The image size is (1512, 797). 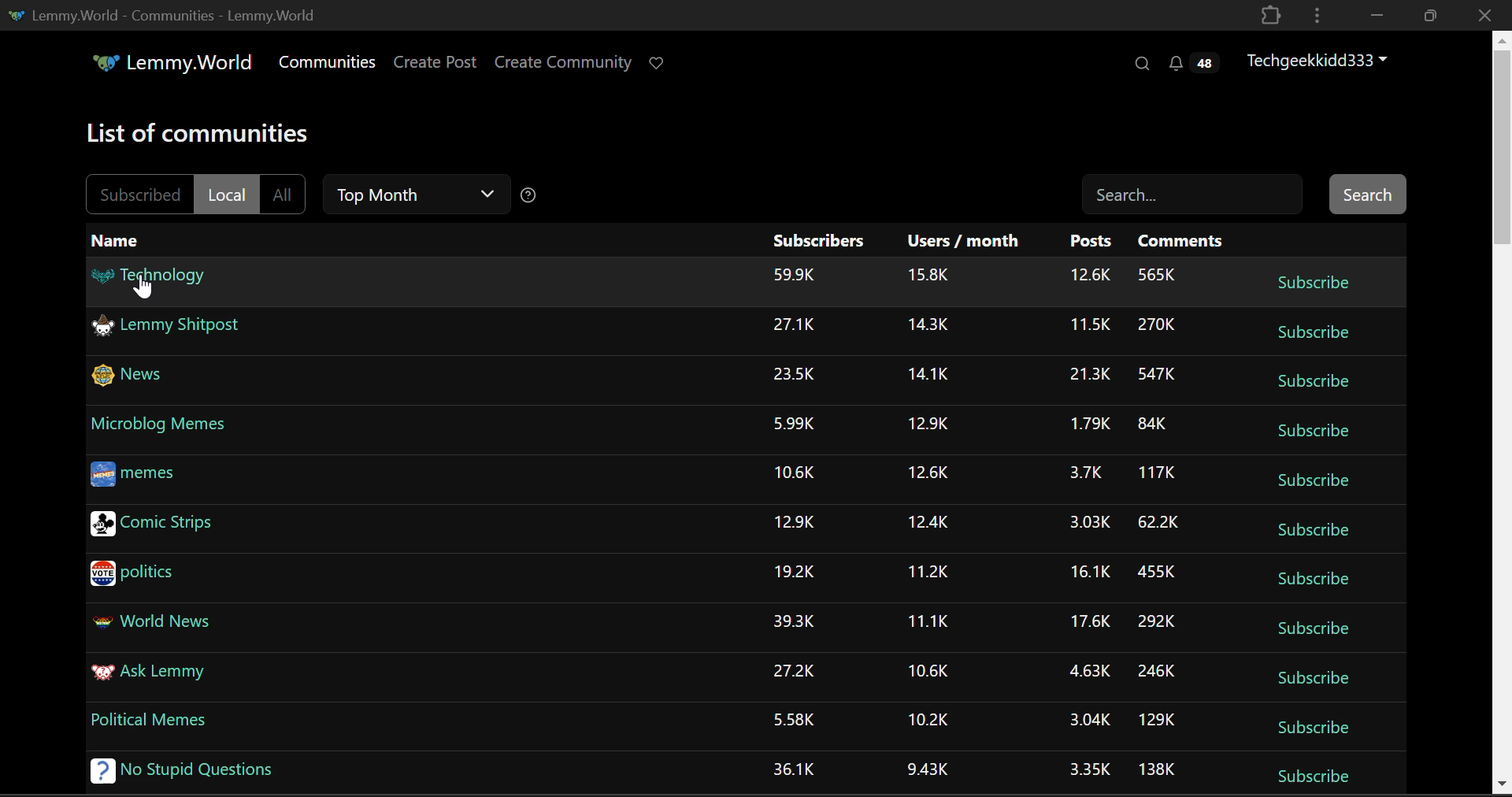 I want to click on Lemmy.World, so click(x=162, y=62).